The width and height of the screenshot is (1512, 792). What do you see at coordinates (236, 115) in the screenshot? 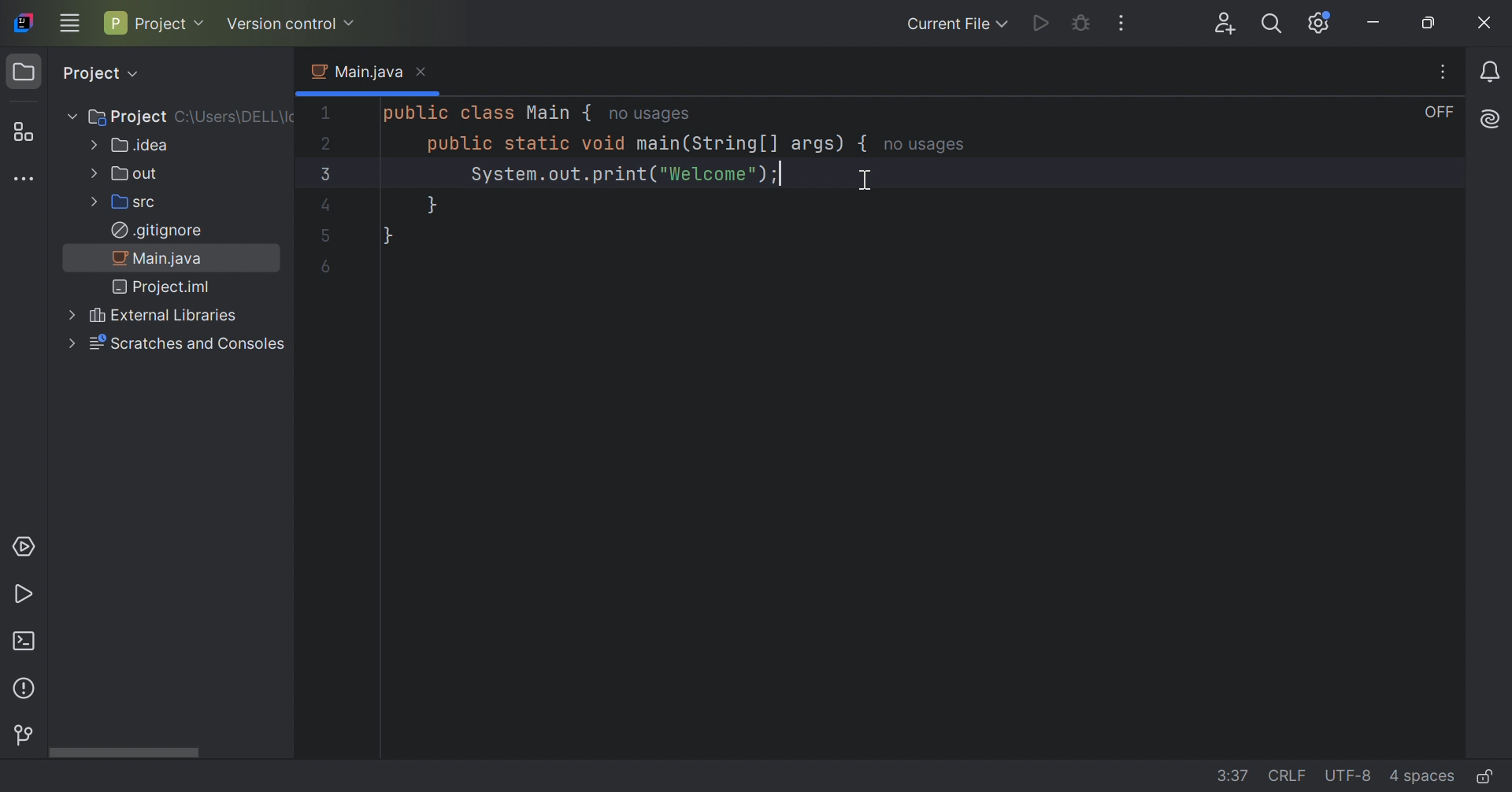
I see `C:\\uSERS\DELL` at bounding box center [236, 115].